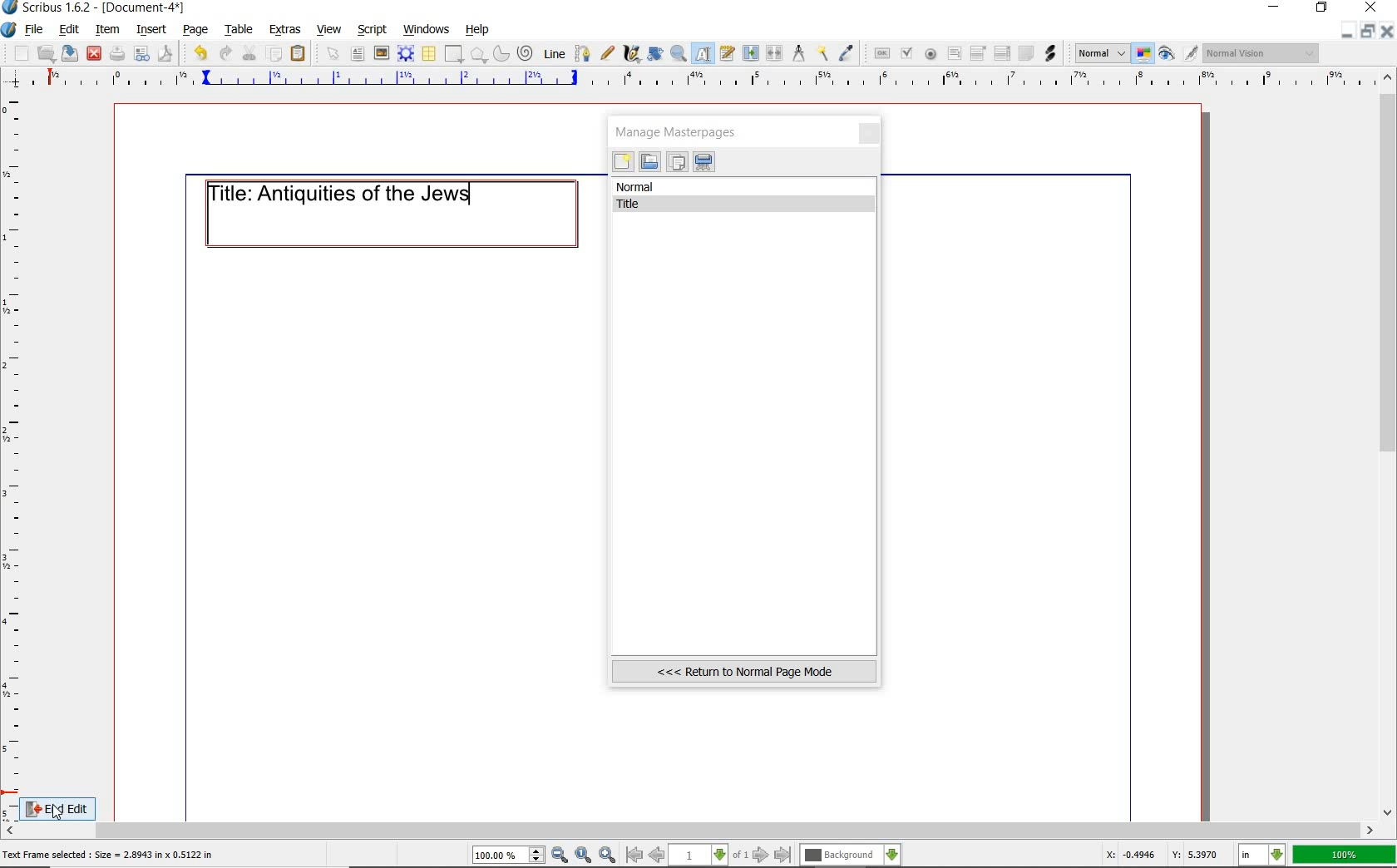 The height and width of the screenshot is (868, 1397). What do you see at coordinates (847, 53) in the screenshot?
I see `eye dropper` at bounding box center [847, 53].